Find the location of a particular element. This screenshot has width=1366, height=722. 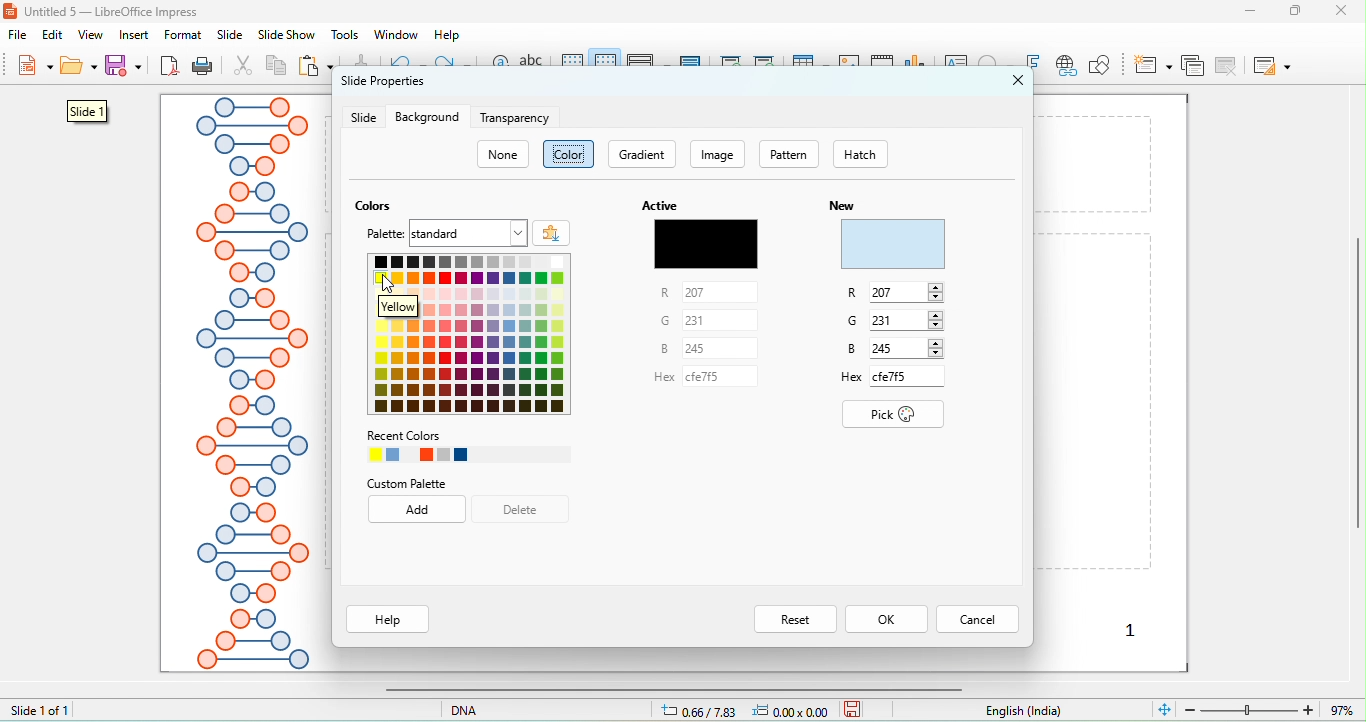

slide layout is located at coordinates (1271, 65).